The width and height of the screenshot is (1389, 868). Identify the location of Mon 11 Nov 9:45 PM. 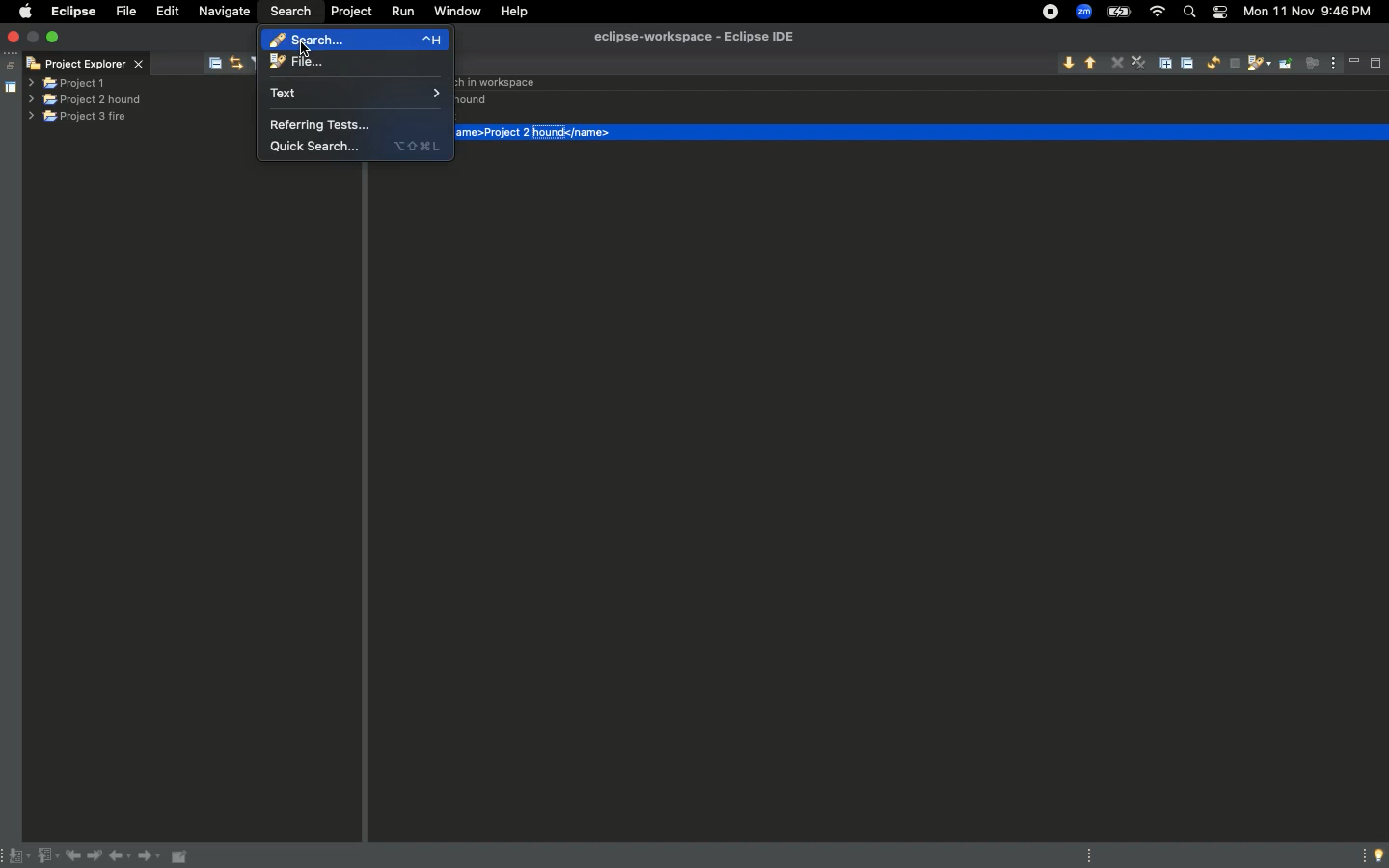
(1314, 11).